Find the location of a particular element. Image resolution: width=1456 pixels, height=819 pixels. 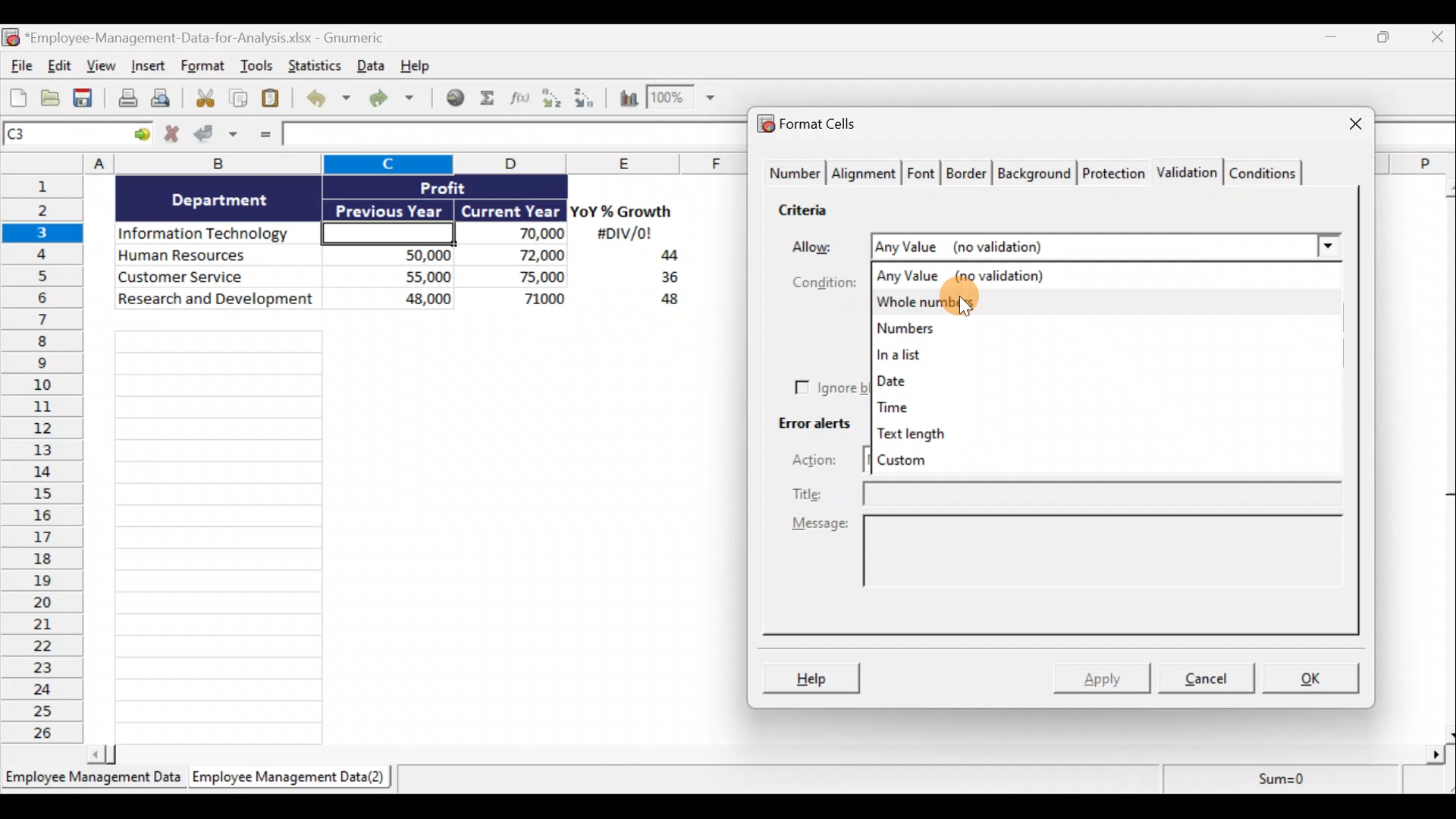

71,000 is located at coordinates (522, 300).